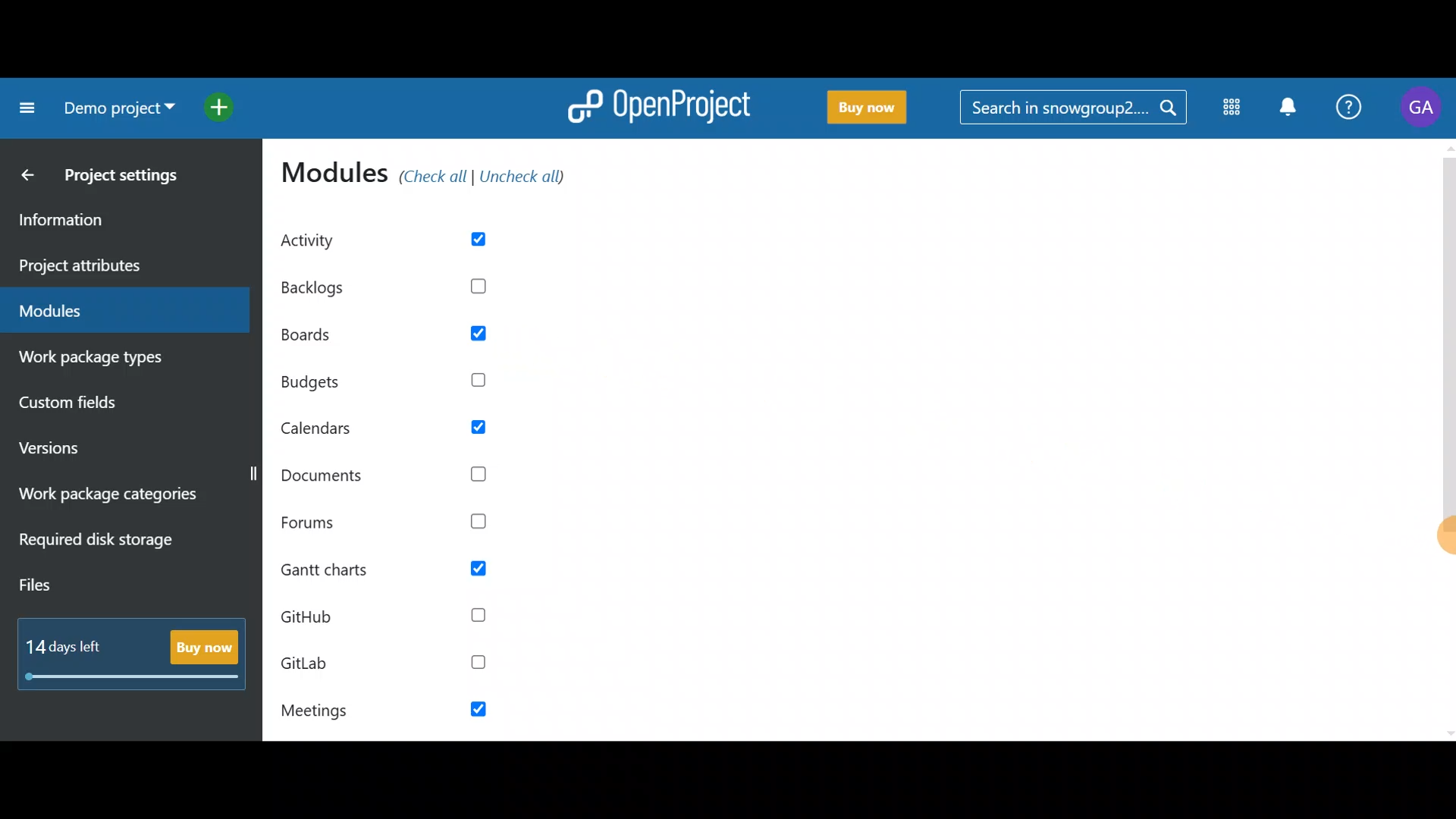 The image size is (1456, 819). What do you see at coordinates (376, 713) in the screenshot?
I see `Meetings` at bounding box center [376, 713].